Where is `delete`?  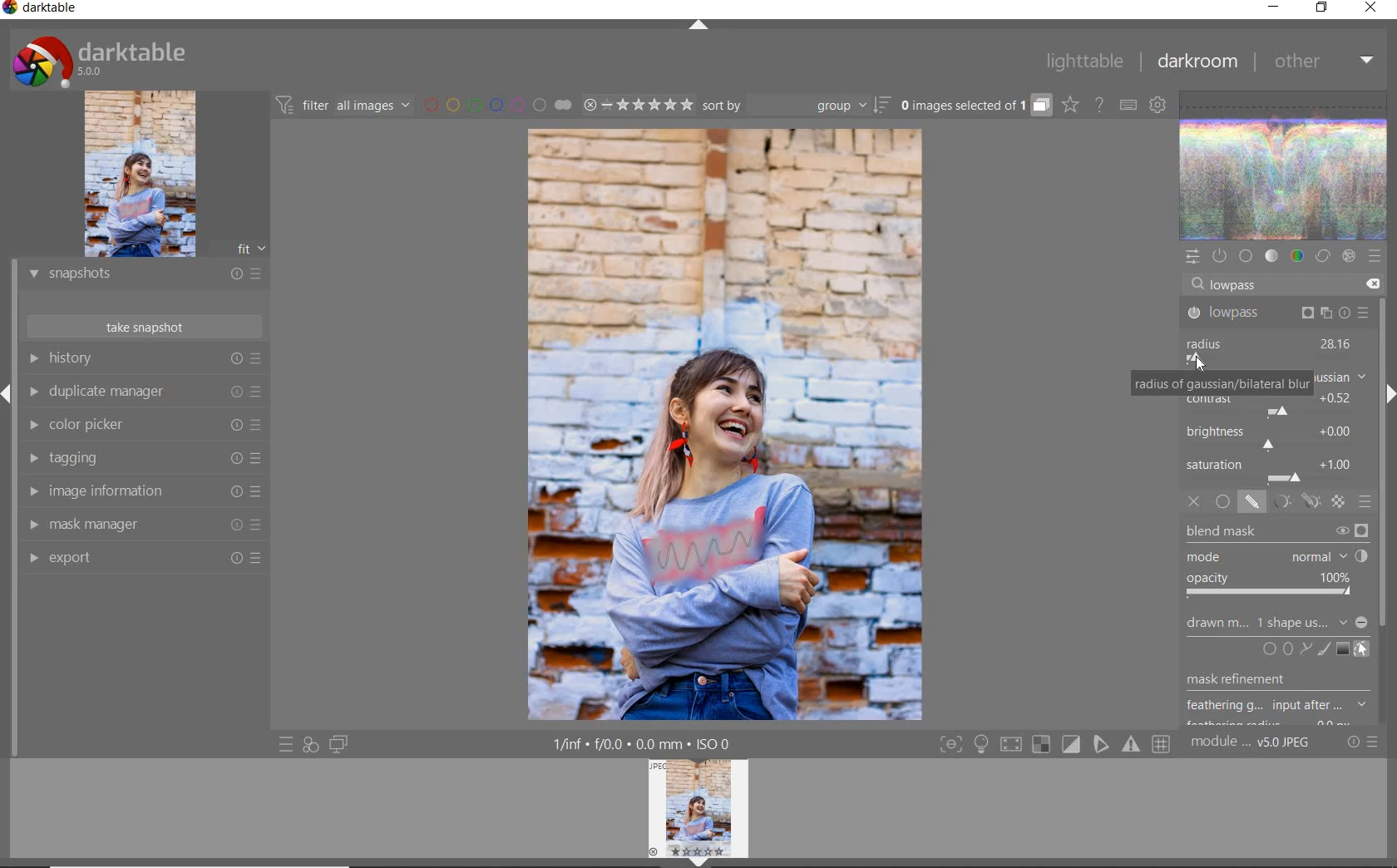
delete is located at coordinates (1370, 283).